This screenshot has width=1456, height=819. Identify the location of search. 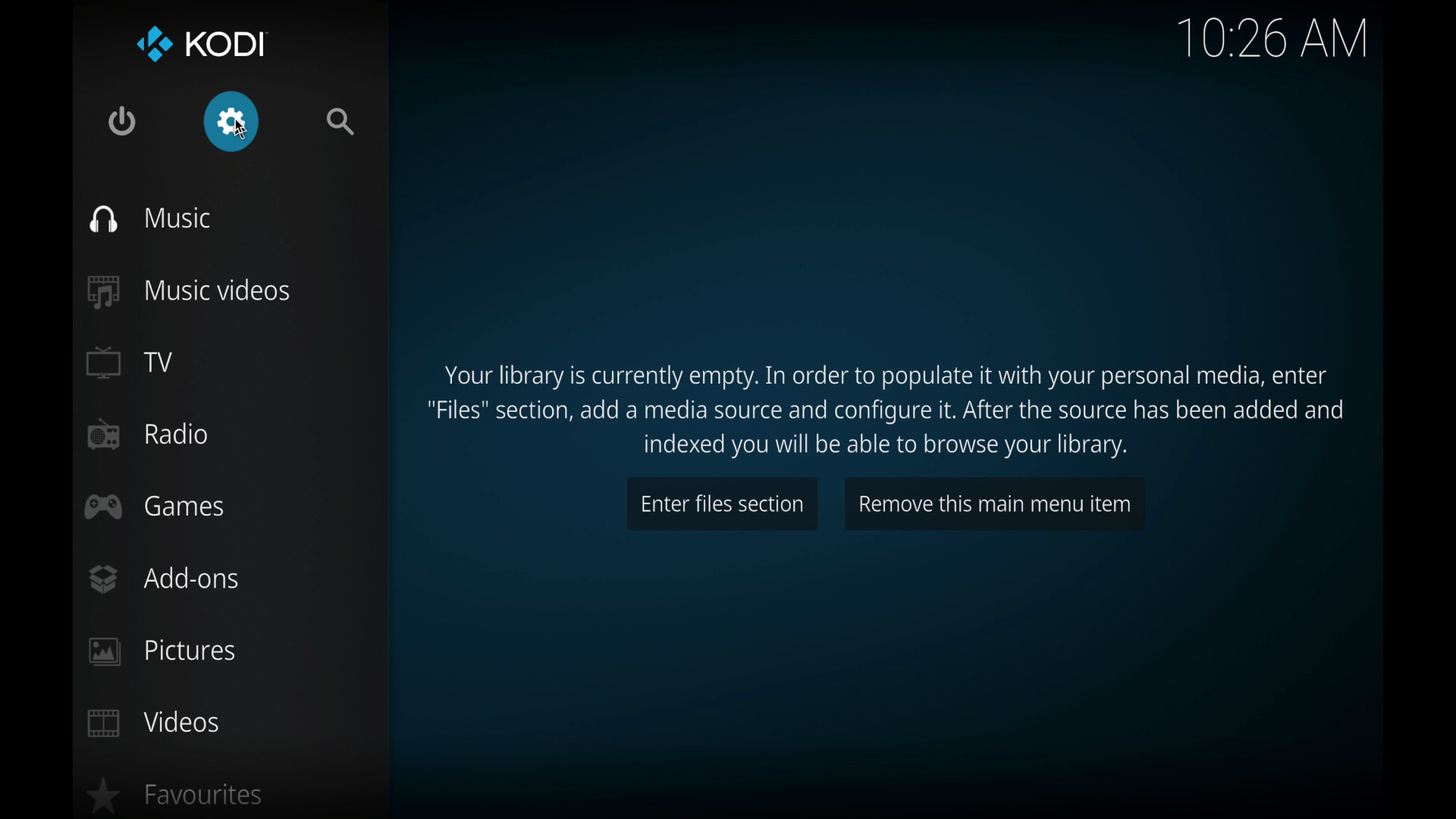
(341, 121).